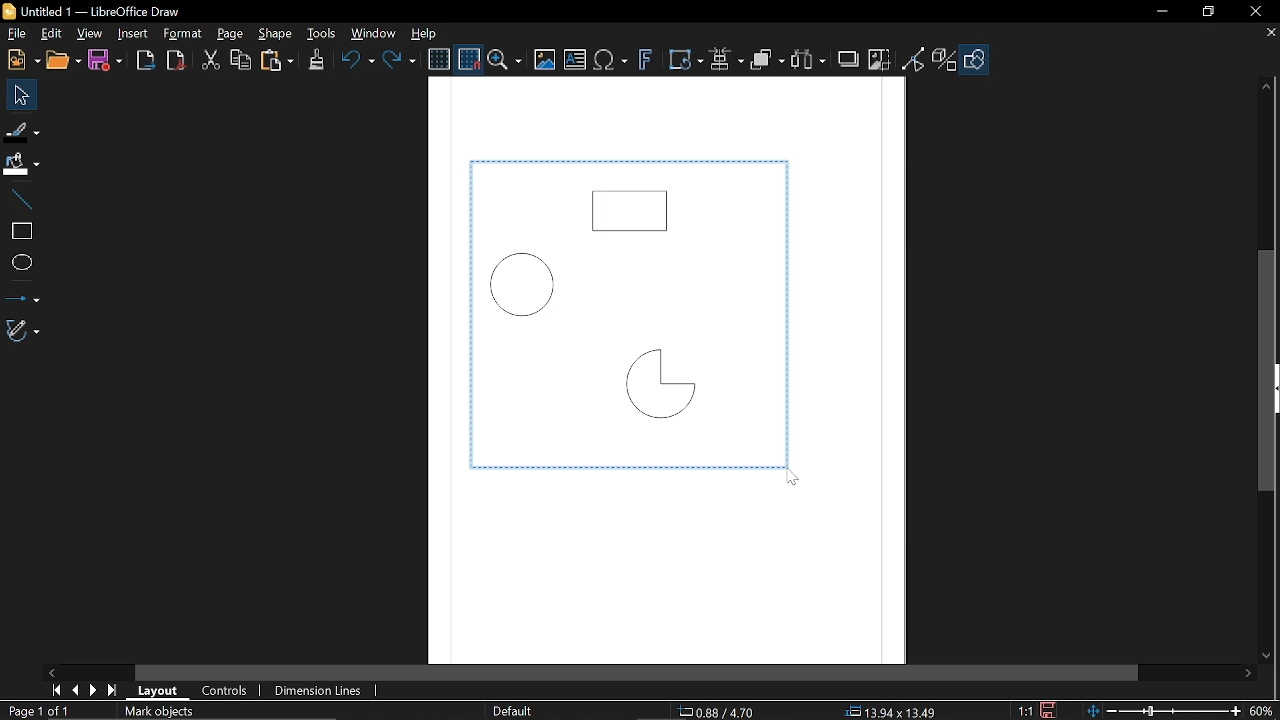 This screenshot has height=720, width=1280. What do you see at coordinates (787, 478) in the screenshot?
I see `Cursor` at bounding box center [787, 478].